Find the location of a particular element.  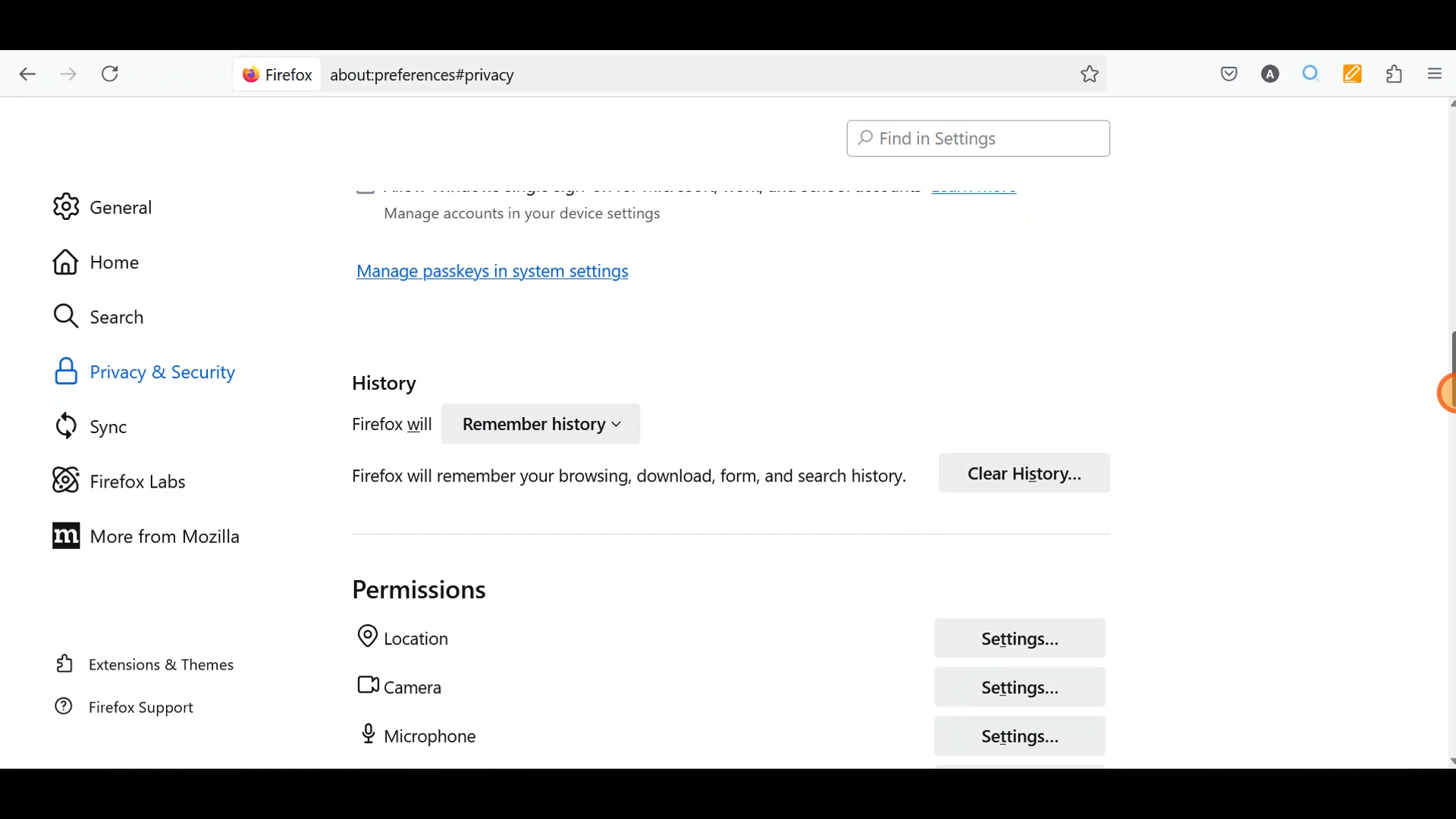

Remember history is located at coordinates (539, 426).